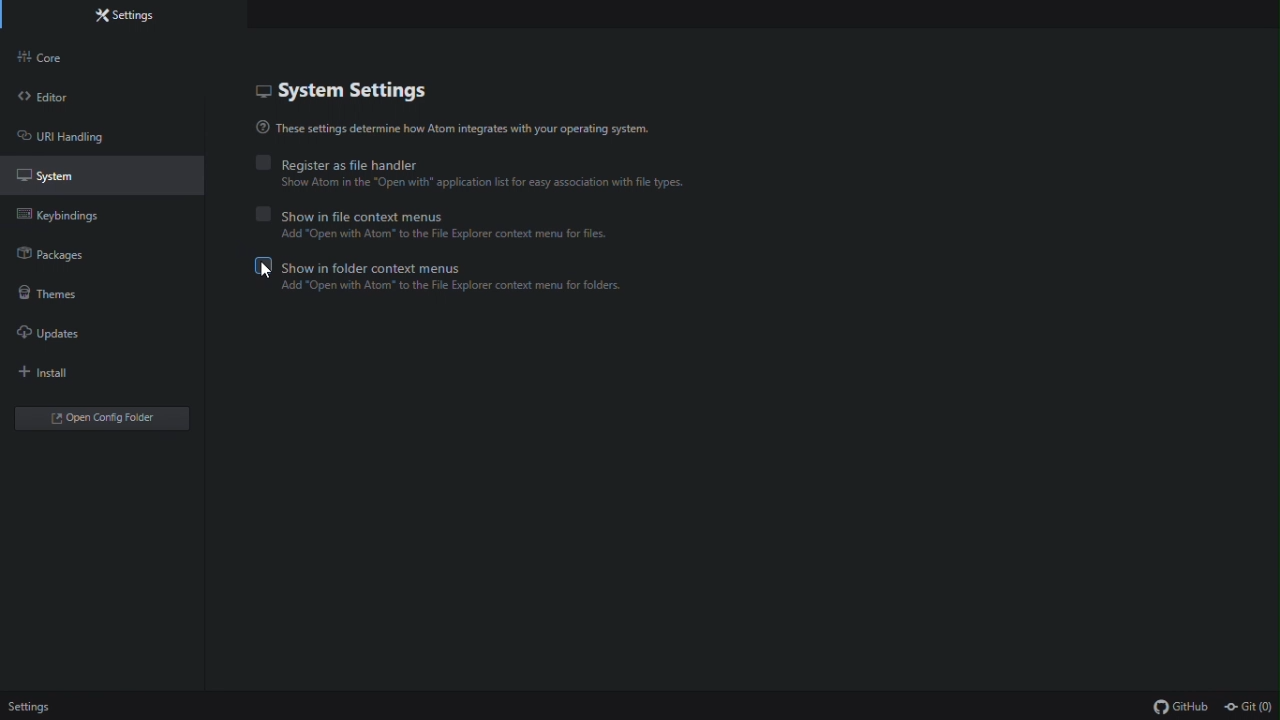  What do you see at coordinates (465, 165) in the screenshot?
I see `Register as file Handler` at bounding box center [465, 165].